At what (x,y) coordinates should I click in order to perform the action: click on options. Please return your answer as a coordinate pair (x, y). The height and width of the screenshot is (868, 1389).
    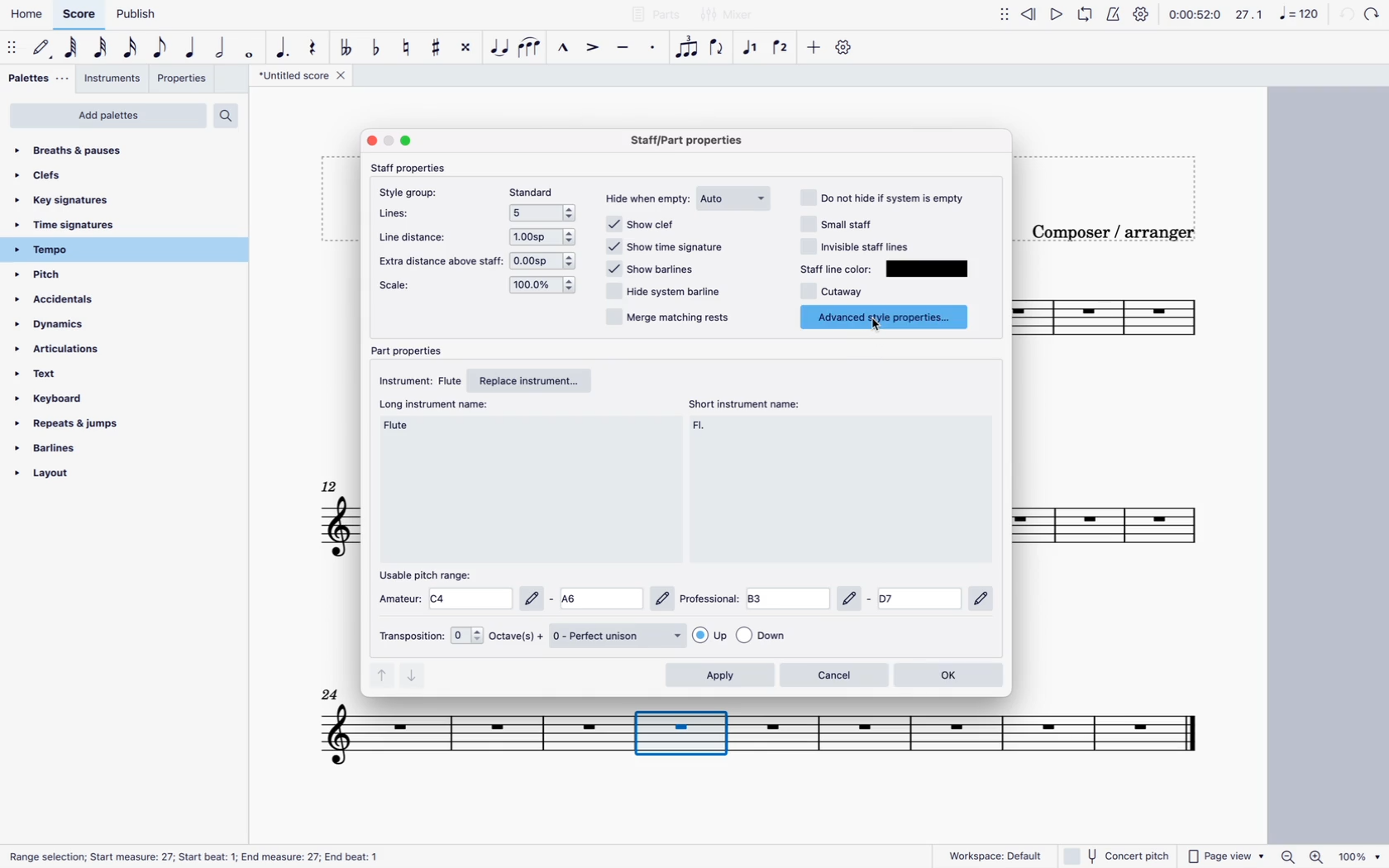
    Looking at the image, I should click on (546, 287).